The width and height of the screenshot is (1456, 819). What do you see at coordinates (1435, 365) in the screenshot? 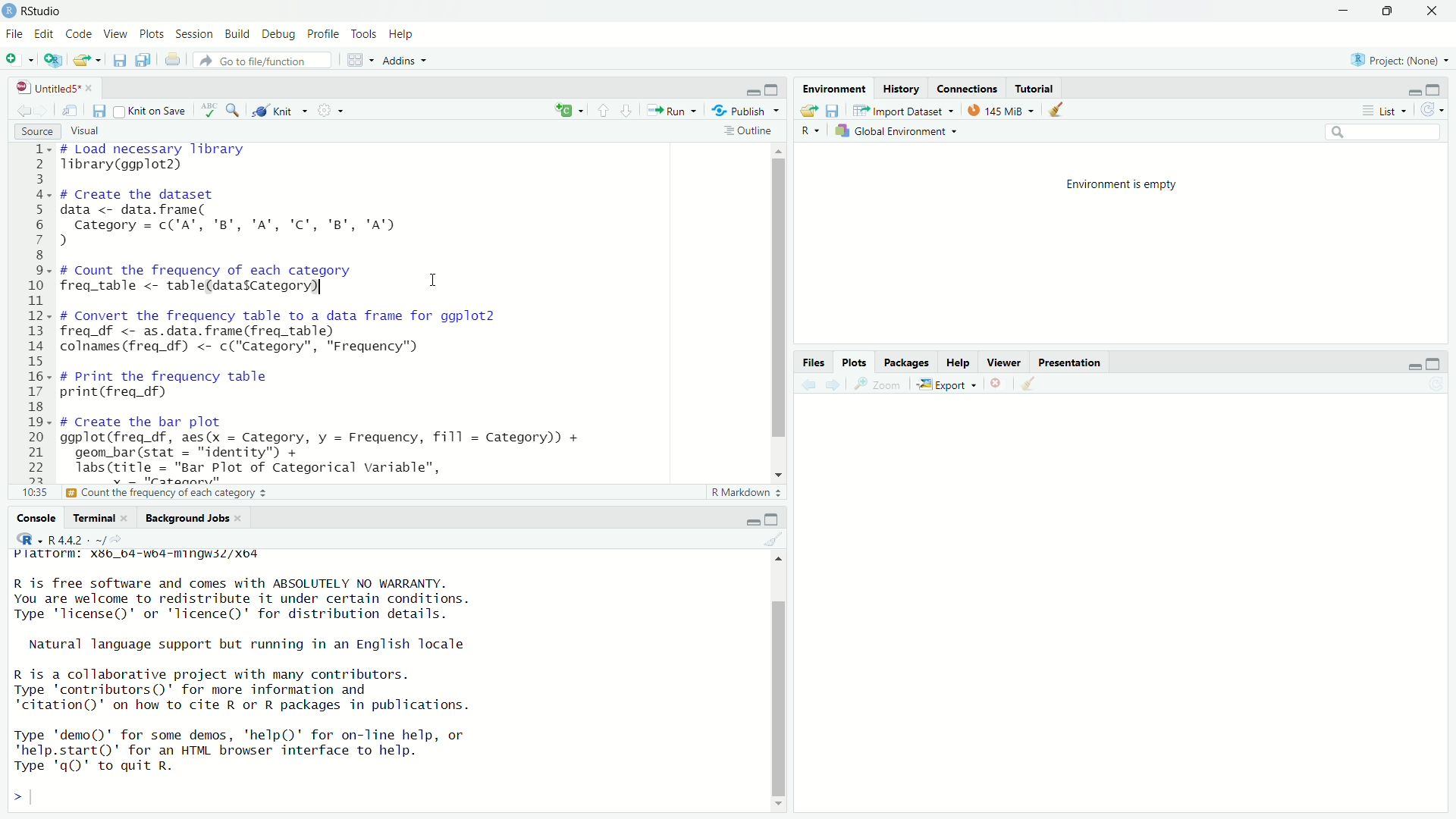
I see `maximize` at bounding box center [1435, 365].